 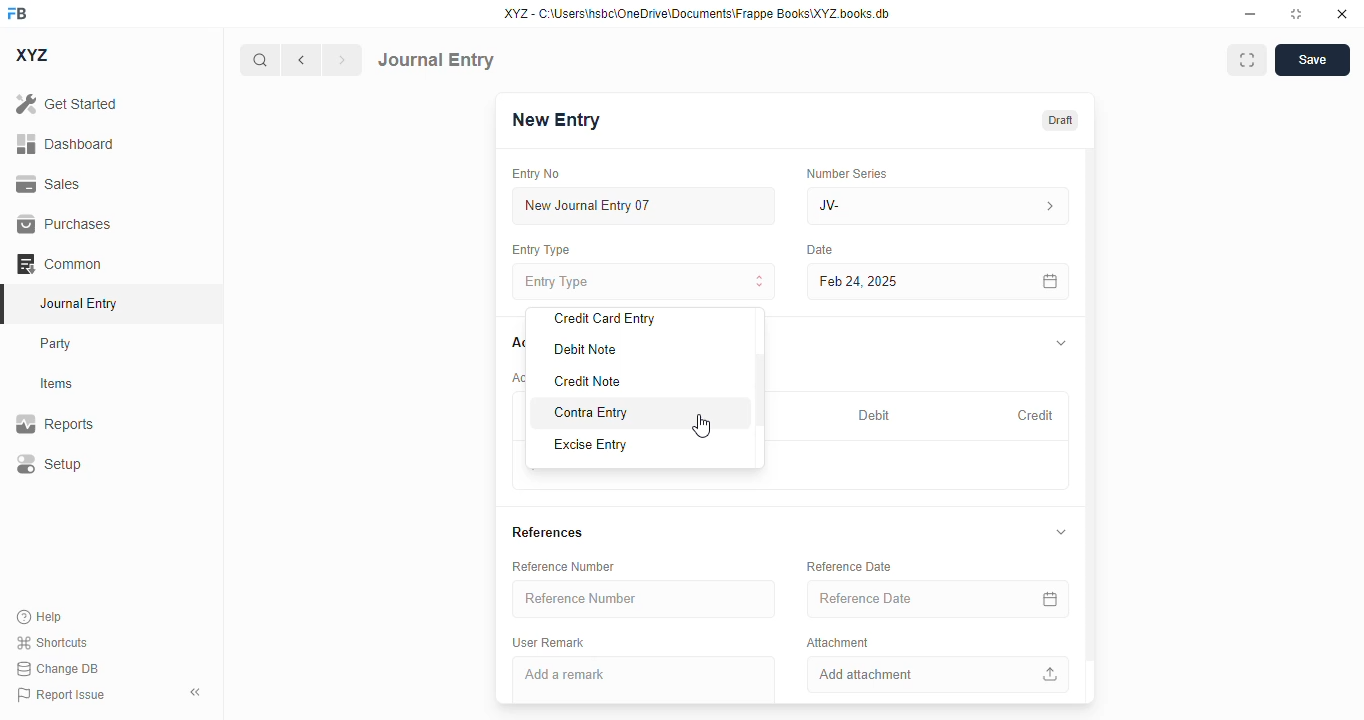 I want to click on vertical scroll bar, so click(x=1090, y=426).